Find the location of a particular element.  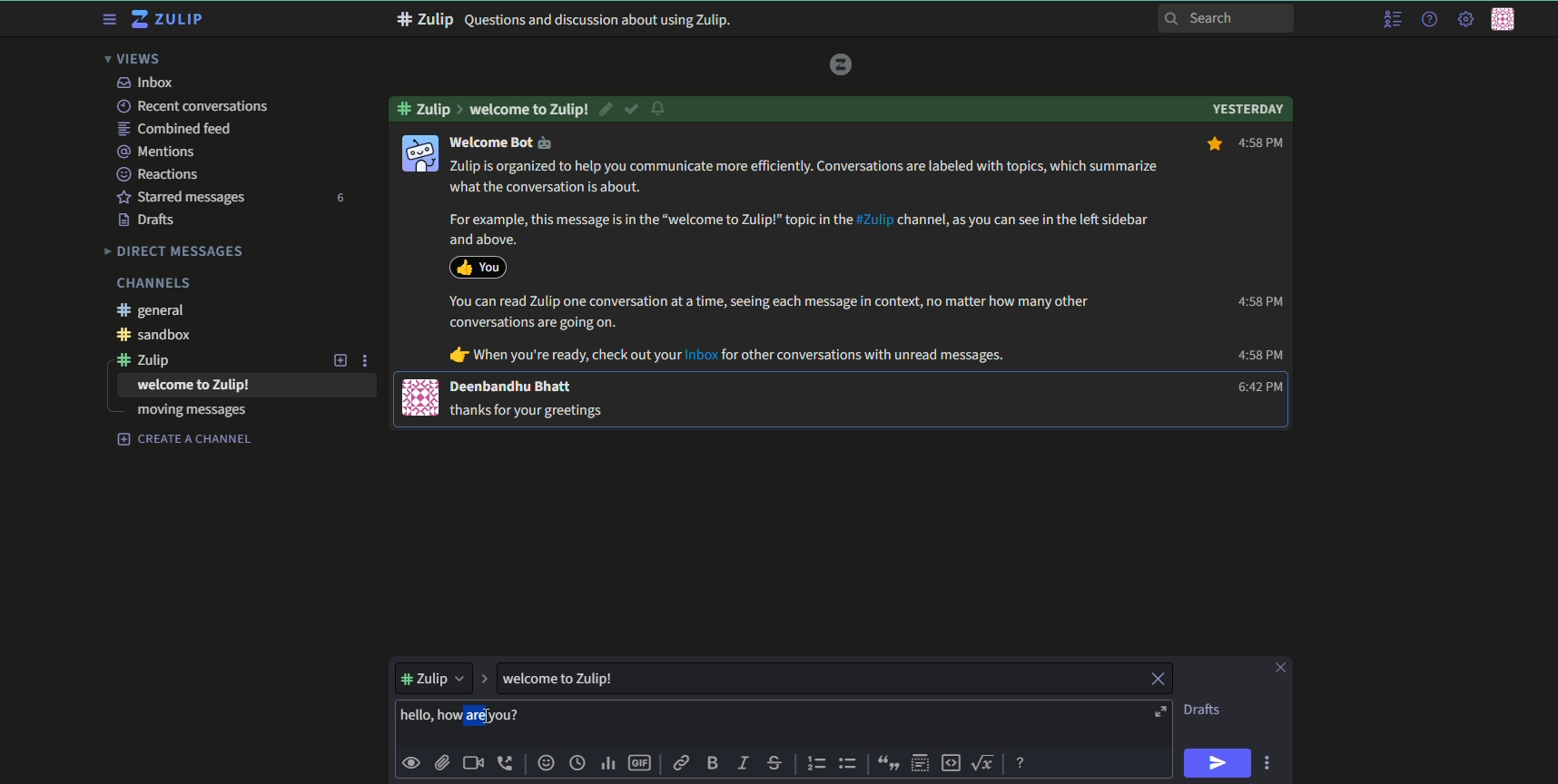

4:58 PM is located at coordinates (1258, 301).